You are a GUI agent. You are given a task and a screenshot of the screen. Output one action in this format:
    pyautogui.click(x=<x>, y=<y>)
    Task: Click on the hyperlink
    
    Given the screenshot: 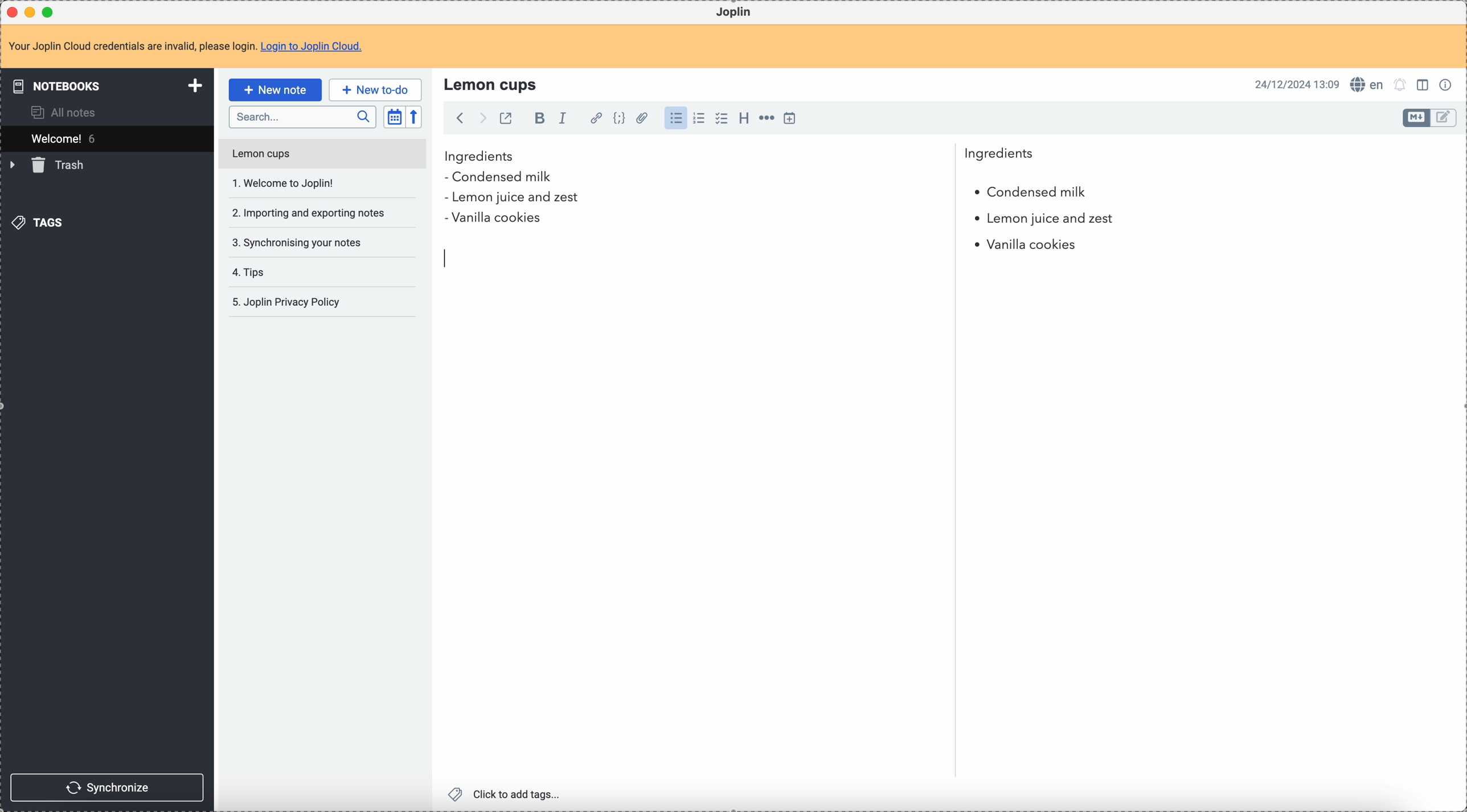 What is the action you would take?
    pyautogui.click(x=594, y=119)
    